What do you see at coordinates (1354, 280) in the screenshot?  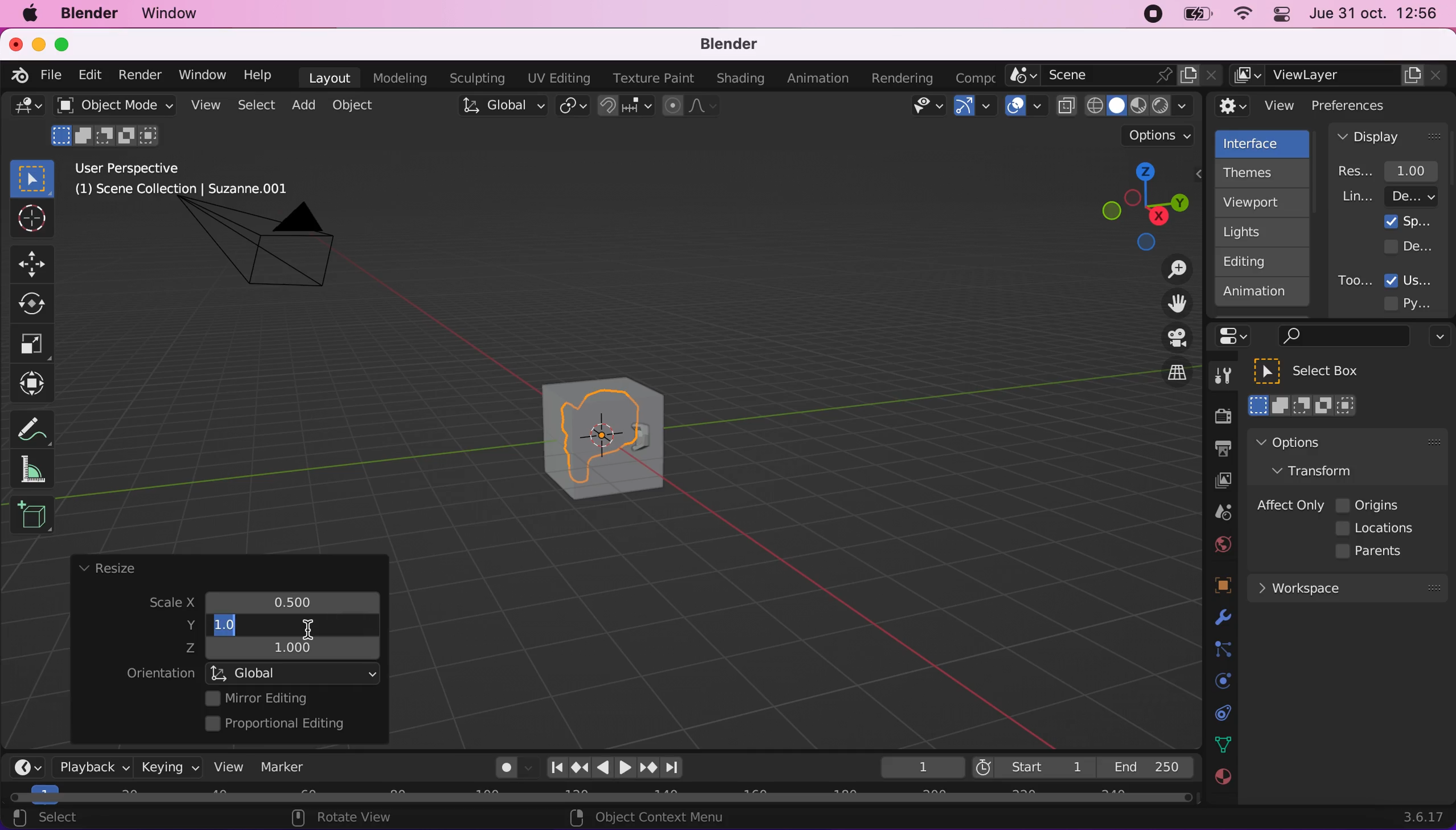 I see `tooltips` at bounding box center [1354, 280].